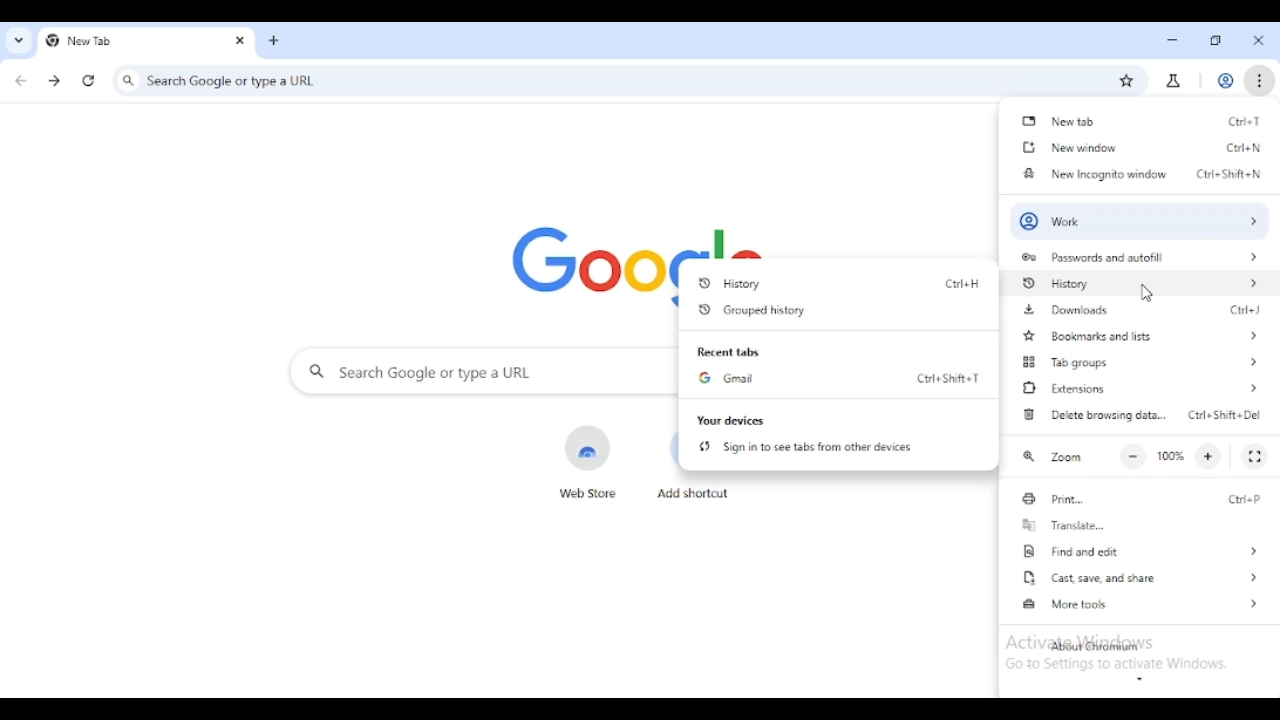 This screenshot has width=1280, height=720. Describe the element at coordinates (810, 283) in the screenshot. I see `history` at that location.